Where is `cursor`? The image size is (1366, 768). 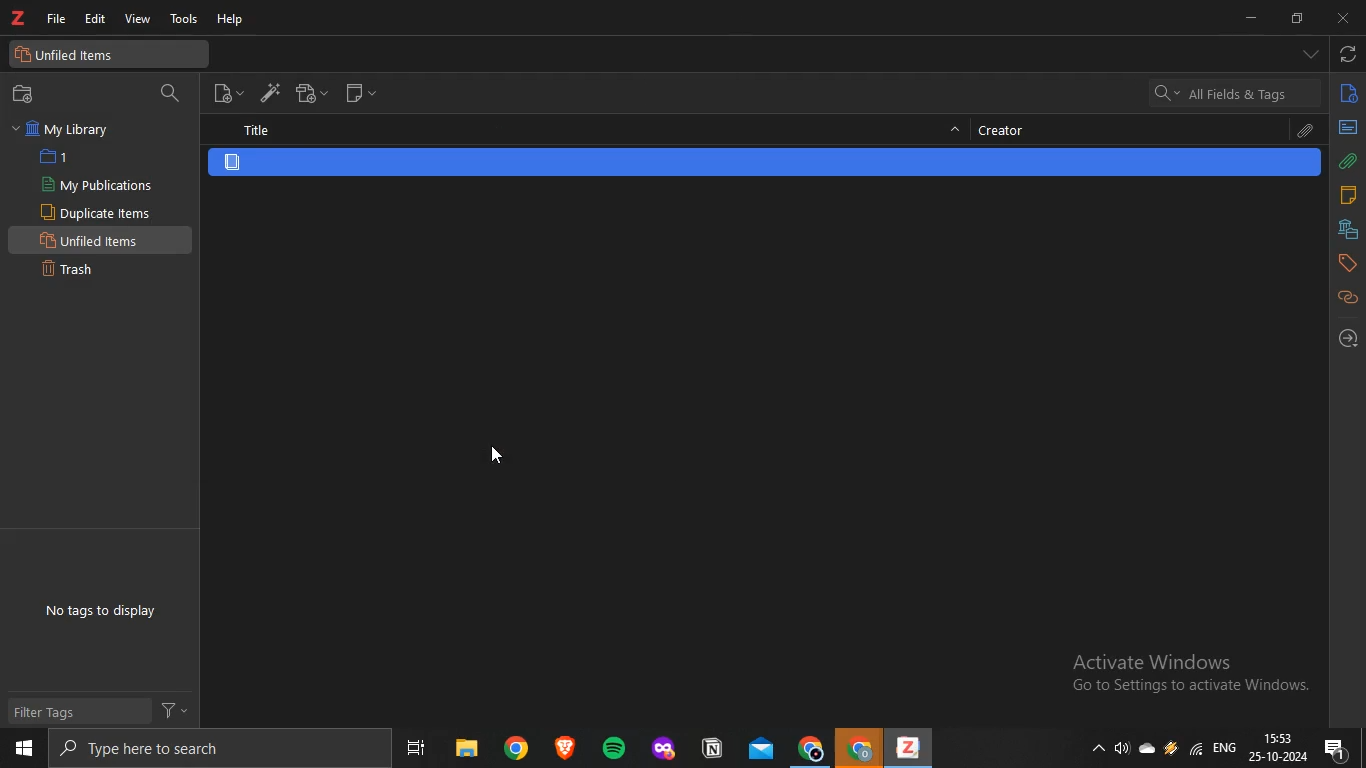 cursor is located at coordinates (498, 455).